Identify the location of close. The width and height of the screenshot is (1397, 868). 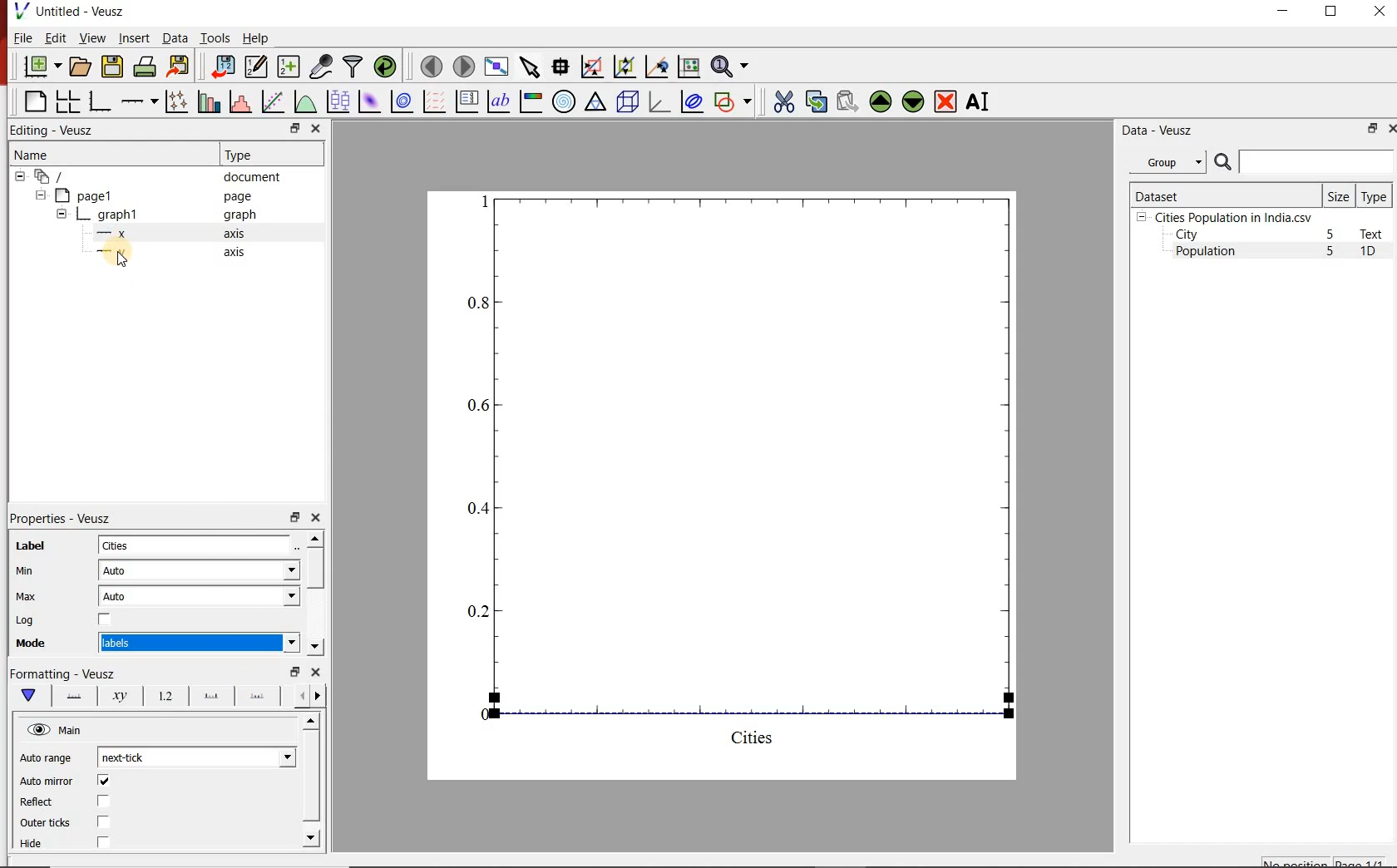
(313, 672).